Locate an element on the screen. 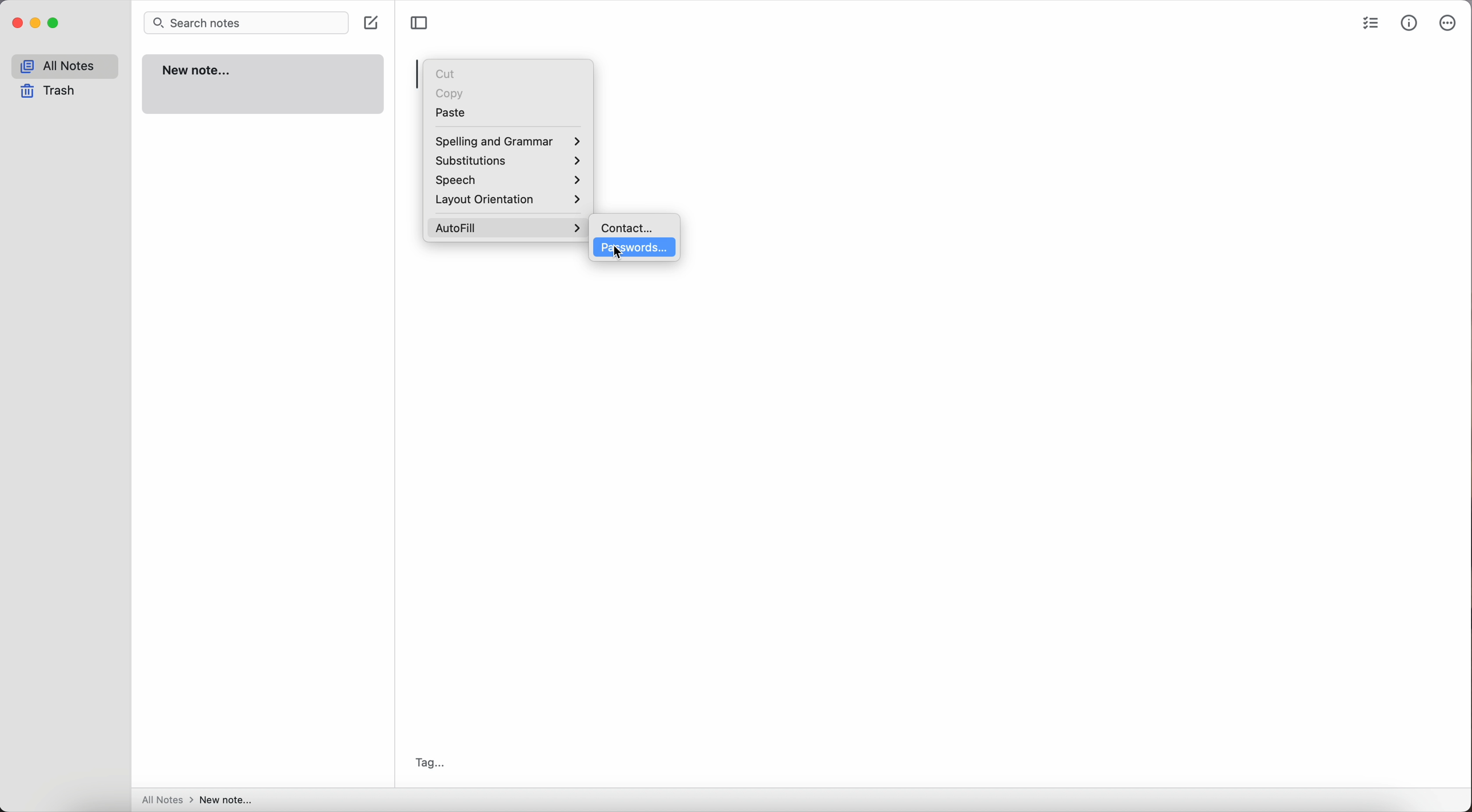 The height and width of the screenshot is (812, 1472). more options is located at coordinates (1449, 24).